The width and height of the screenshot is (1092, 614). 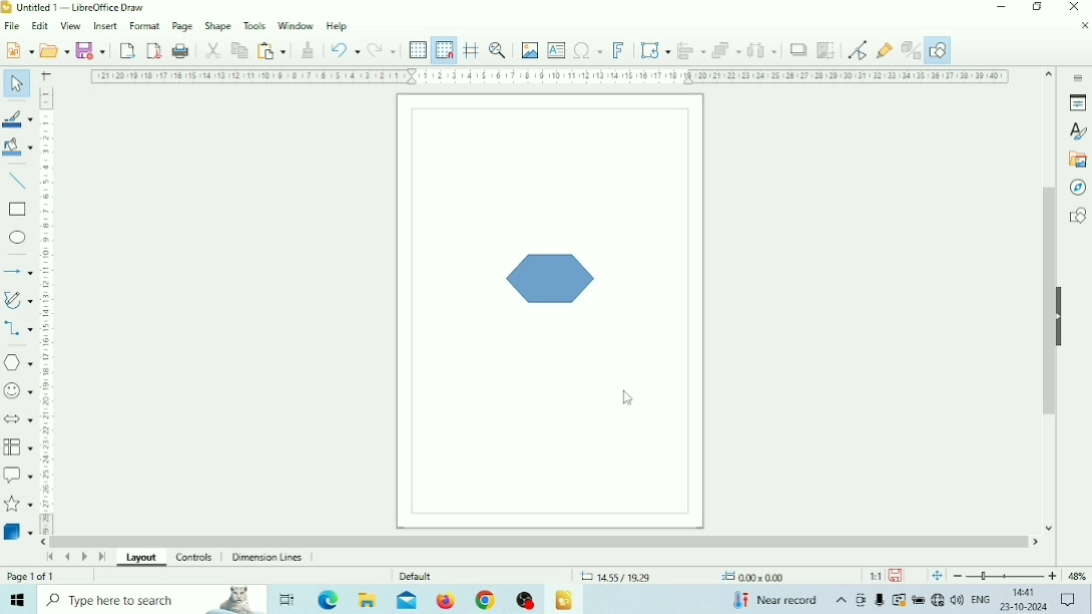 What do you see at coordinates (884, 51) in the screenshot?
I see `Show Gluepoint Functions` at bounding box center [884, 51].